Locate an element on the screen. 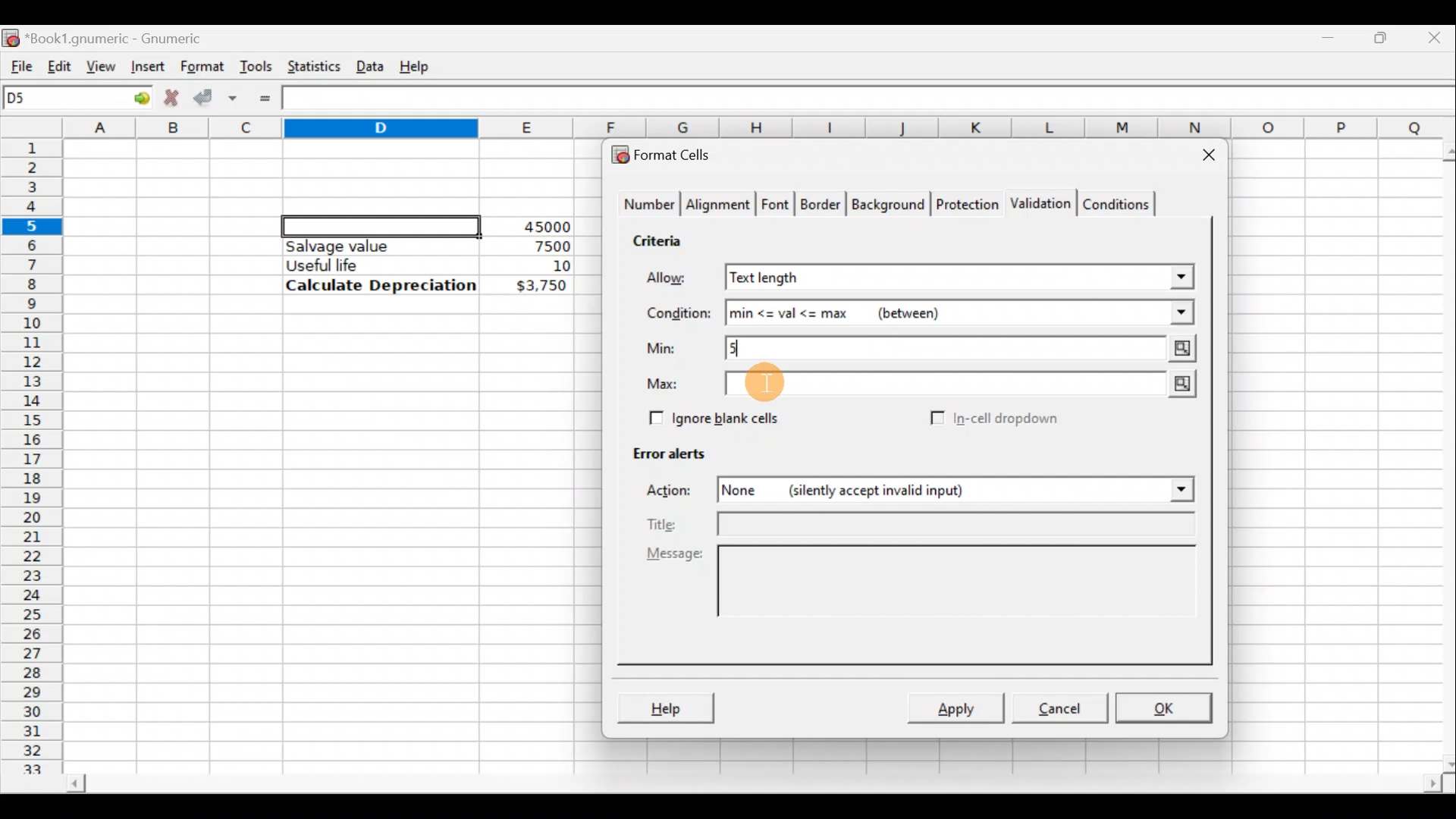 The height and width of the screenshot is (819, 1456). Accept change is located at coordinates (215, 96).